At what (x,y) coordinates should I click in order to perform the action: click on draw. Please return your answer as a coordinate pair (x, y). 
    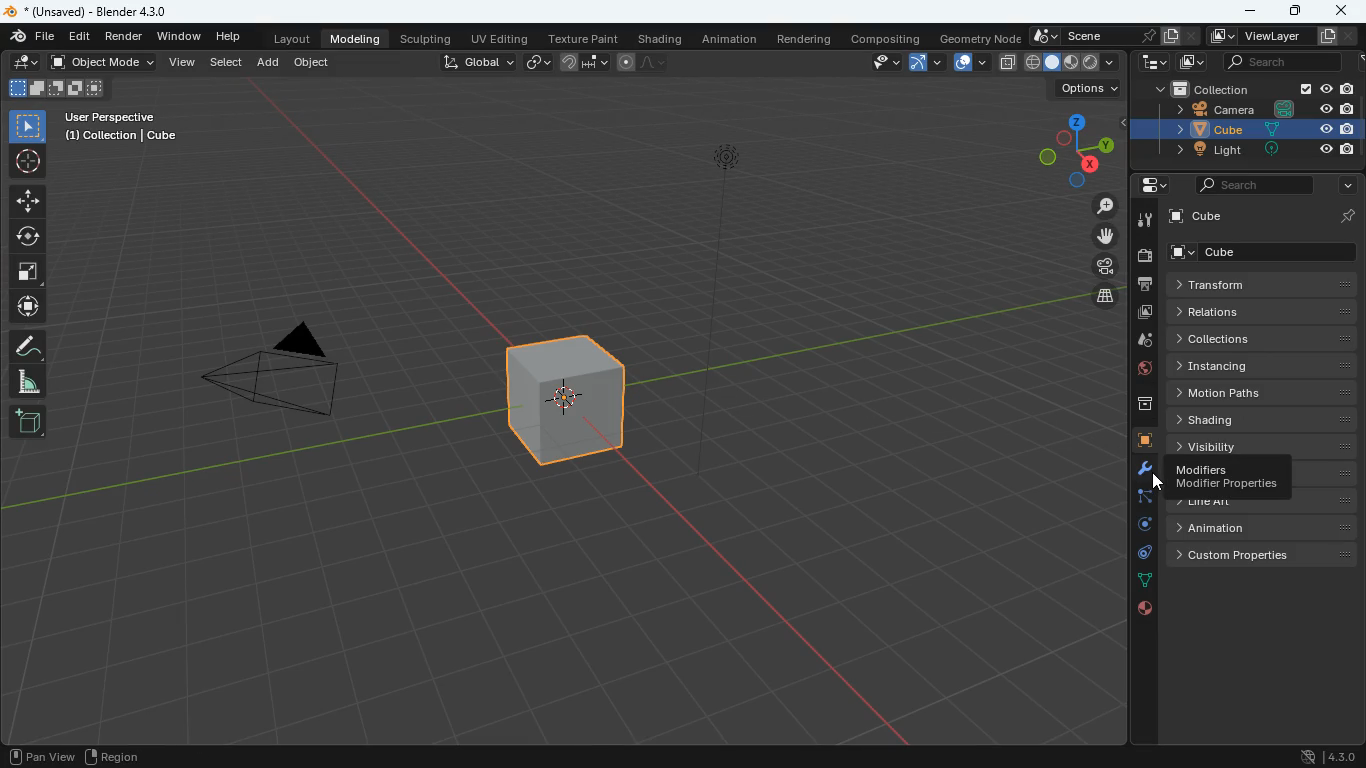
    Looking at the image, I should click on (28, 347).